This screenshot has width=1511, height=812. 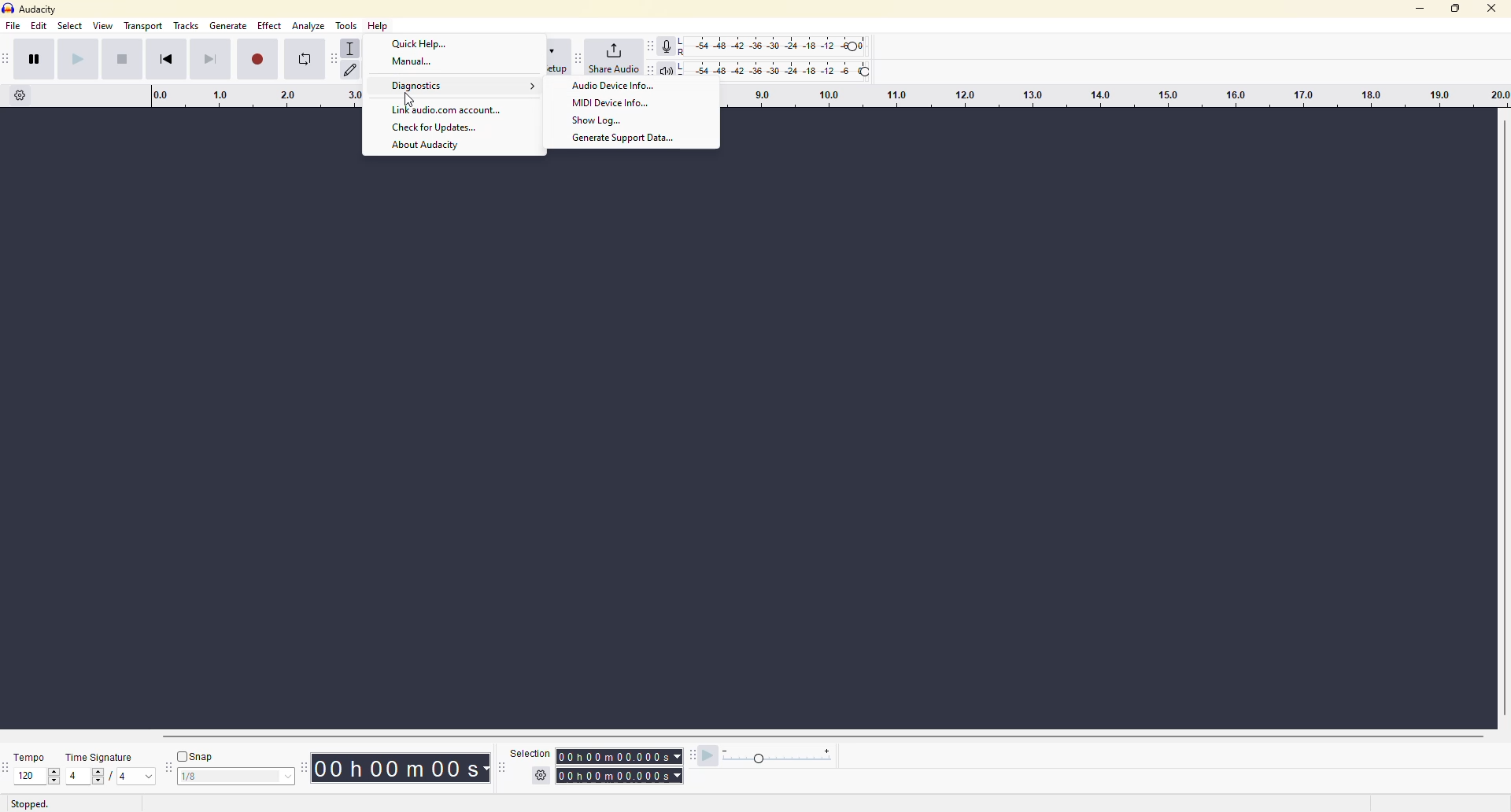 What do you see at coordinates (1492, 9) in the screenshot?
I see `Close` at bounding box center [1492, 9].